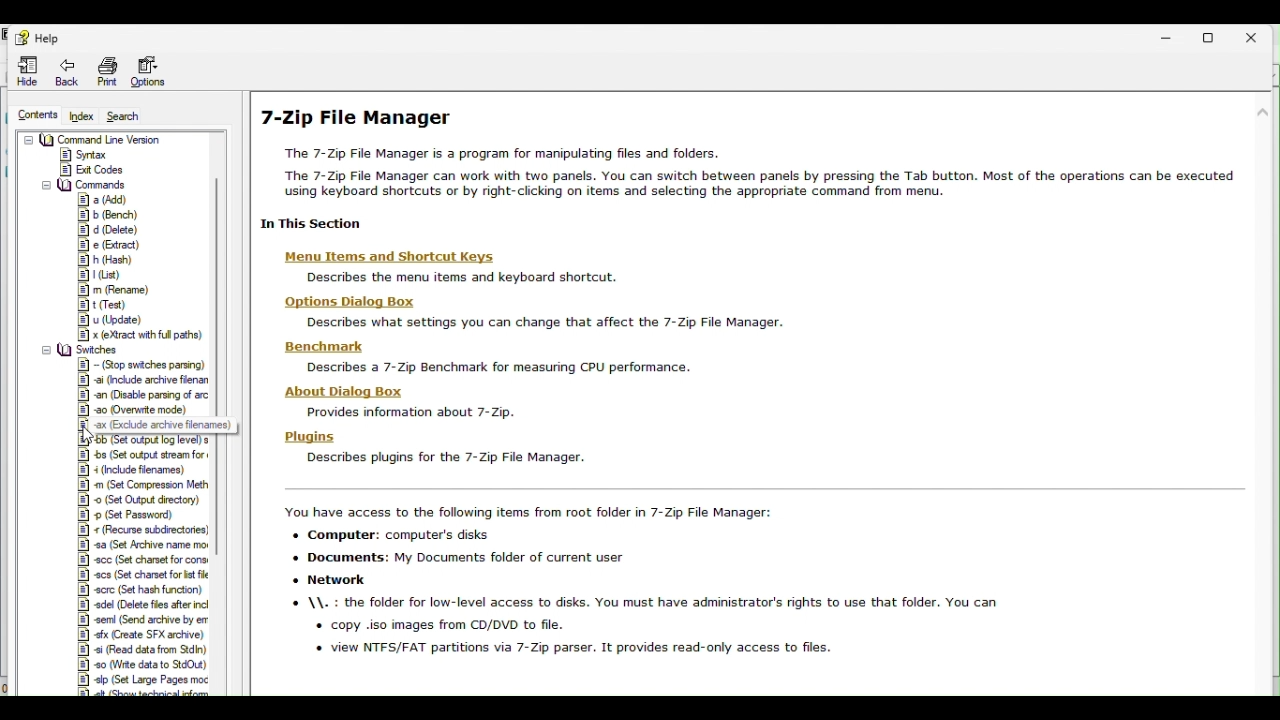  What do you see at coordinates (316, 223) in the screenshot?
I see `In This Section` at bounding box center [316, 223].